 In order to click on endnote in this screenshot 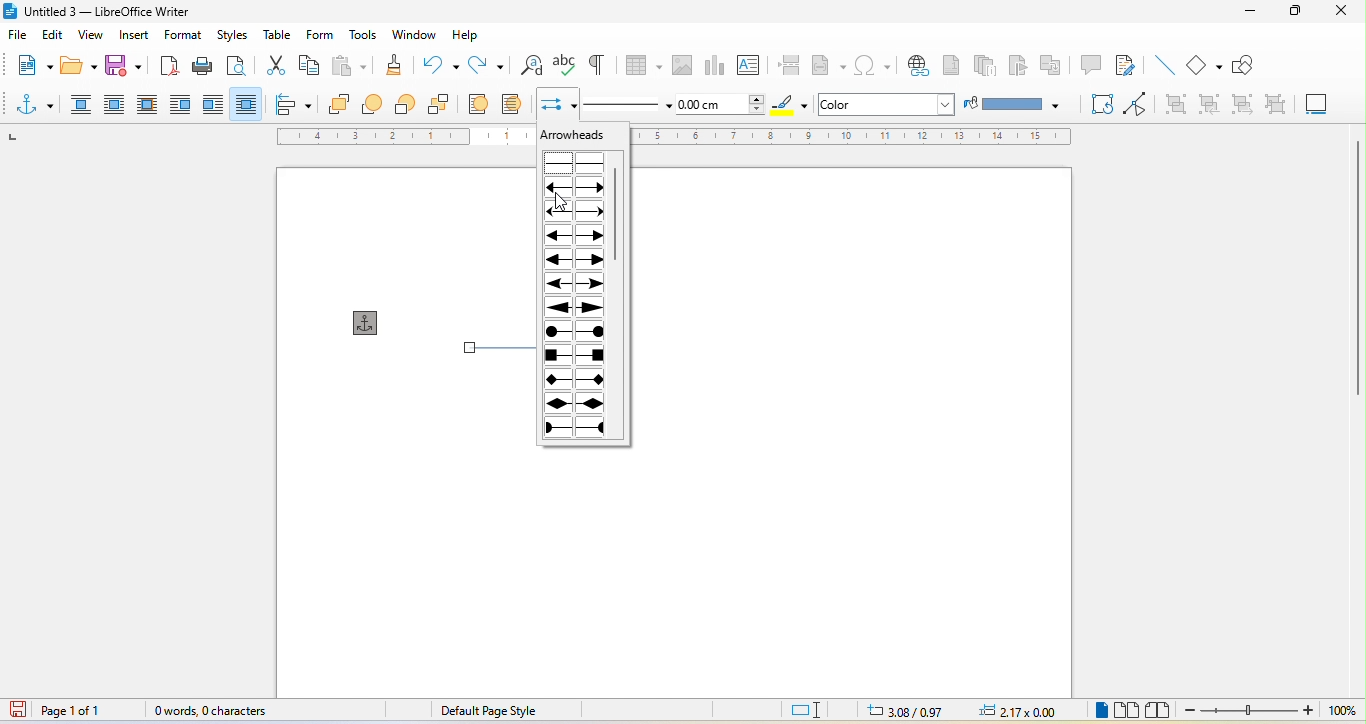, I will do `click(985, 66)`.